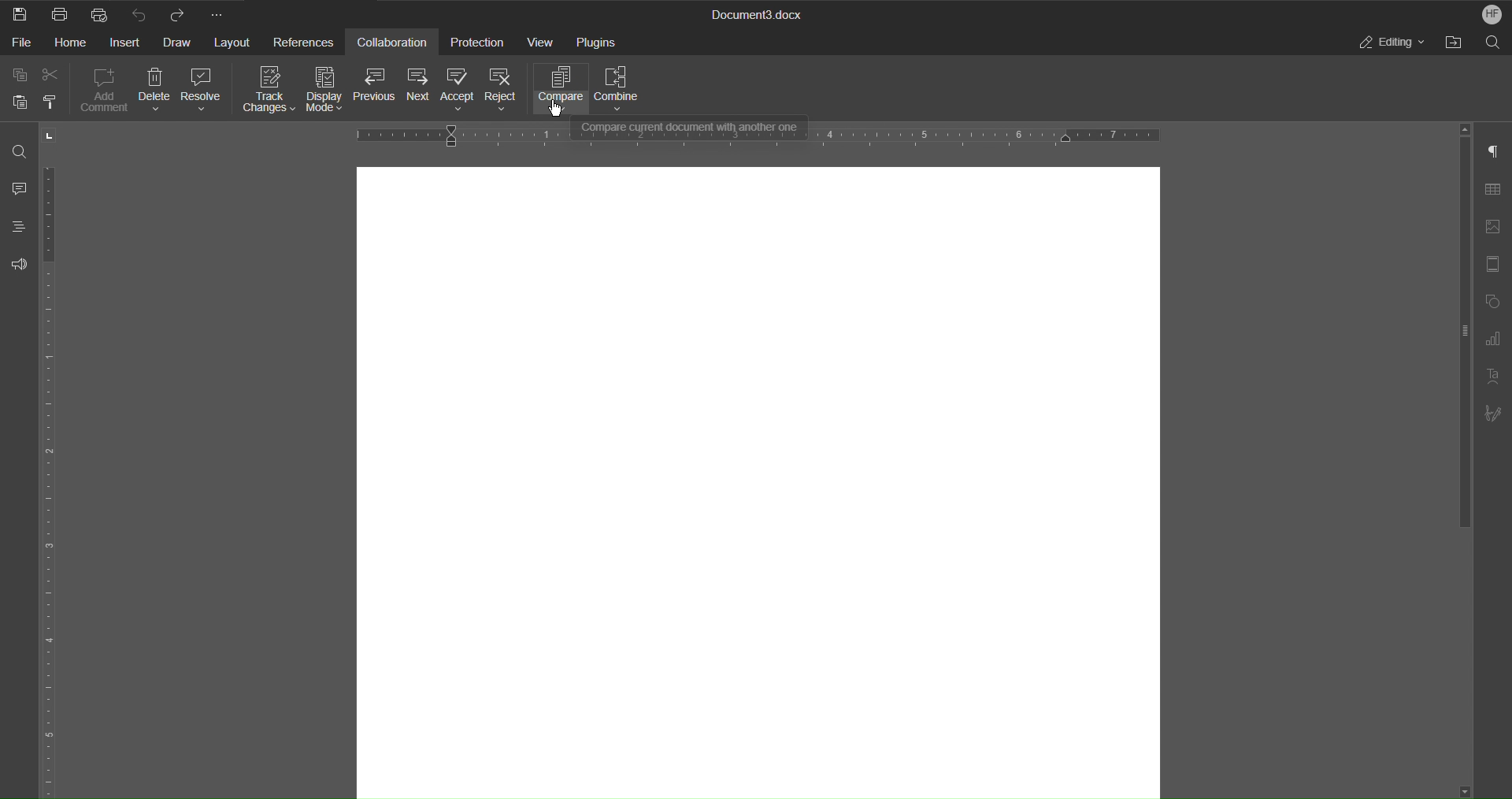  What do you see at coordinates (53, 479) in the screenshot?
I see `Vertical Ruler` at bounding box center [53, 479].